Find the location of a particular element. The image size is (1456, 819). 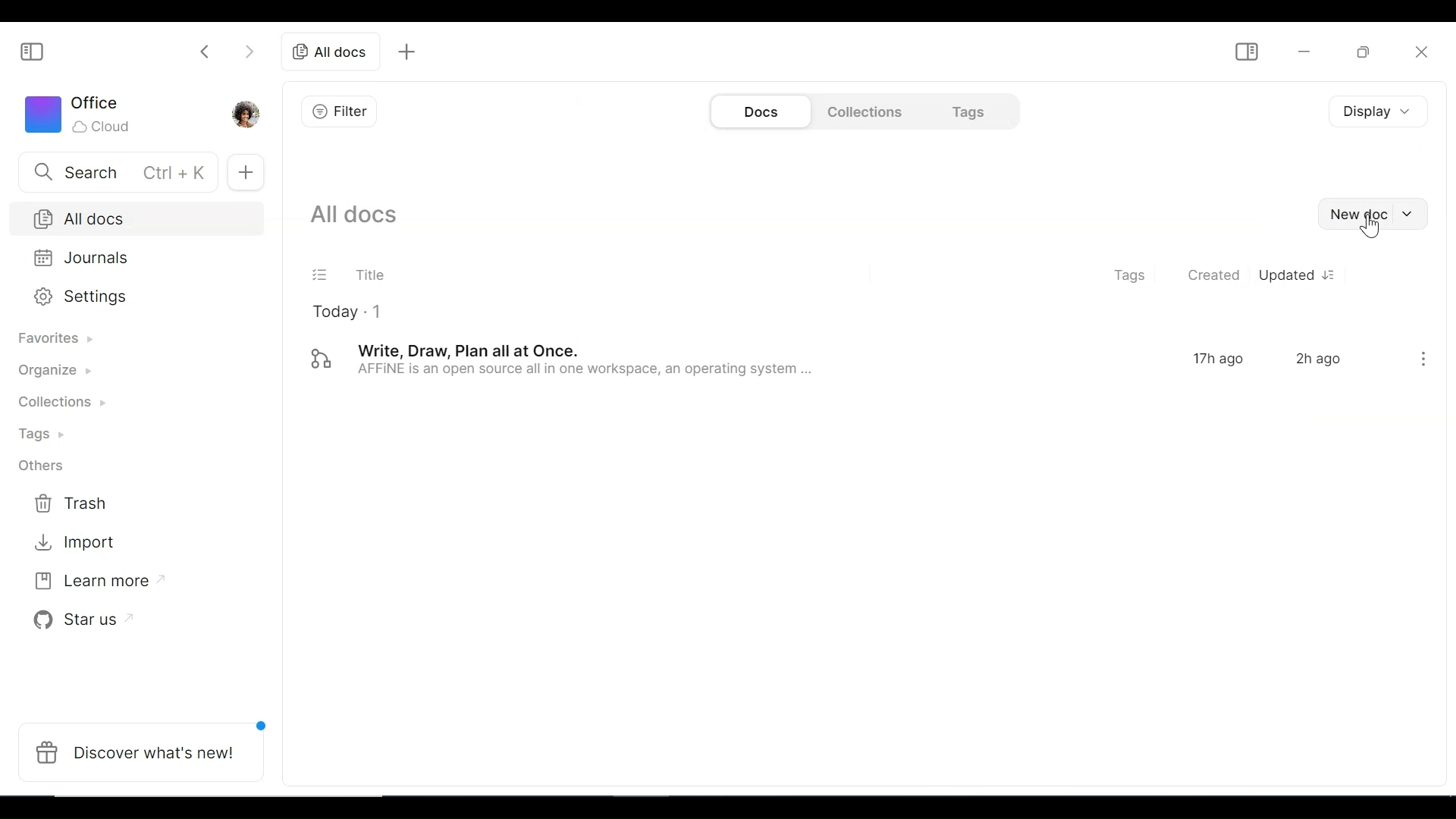

Options is located at coordinates (1420, 359).